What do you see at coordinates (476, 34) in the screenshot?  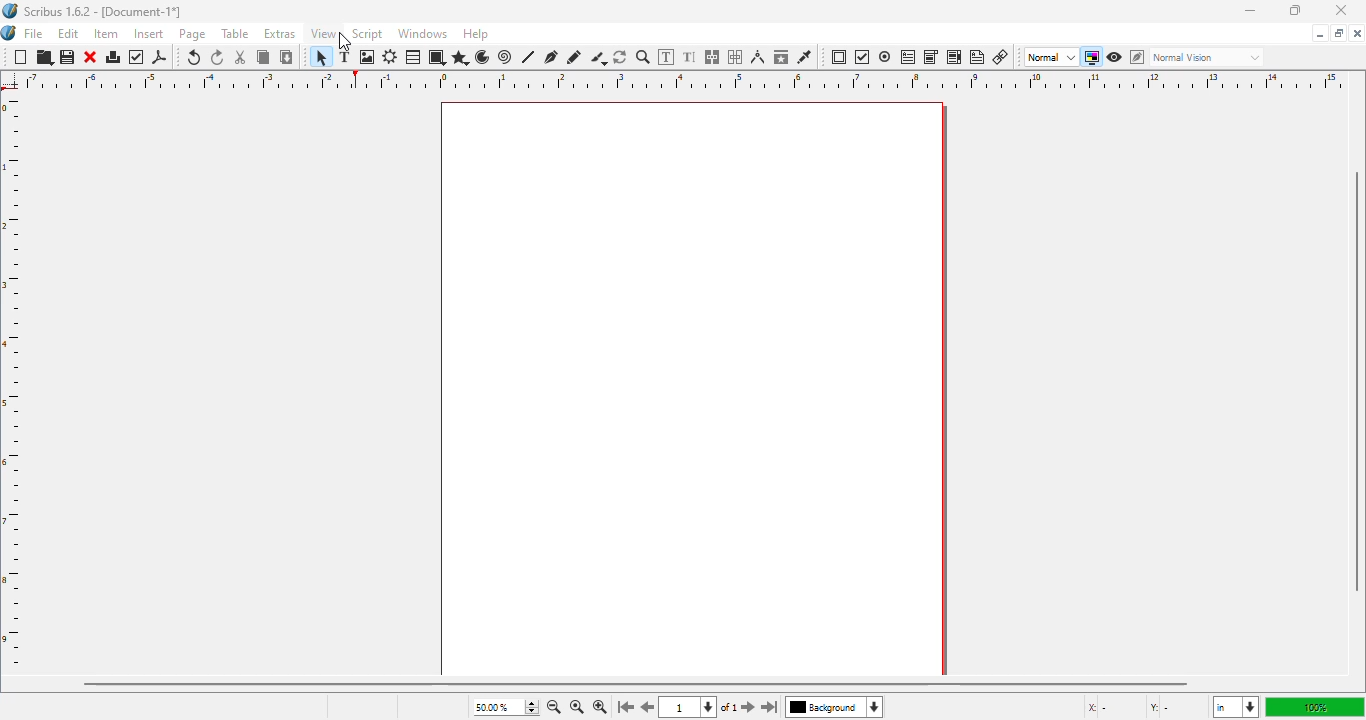 I see `help` at bounding box center [476, 34].